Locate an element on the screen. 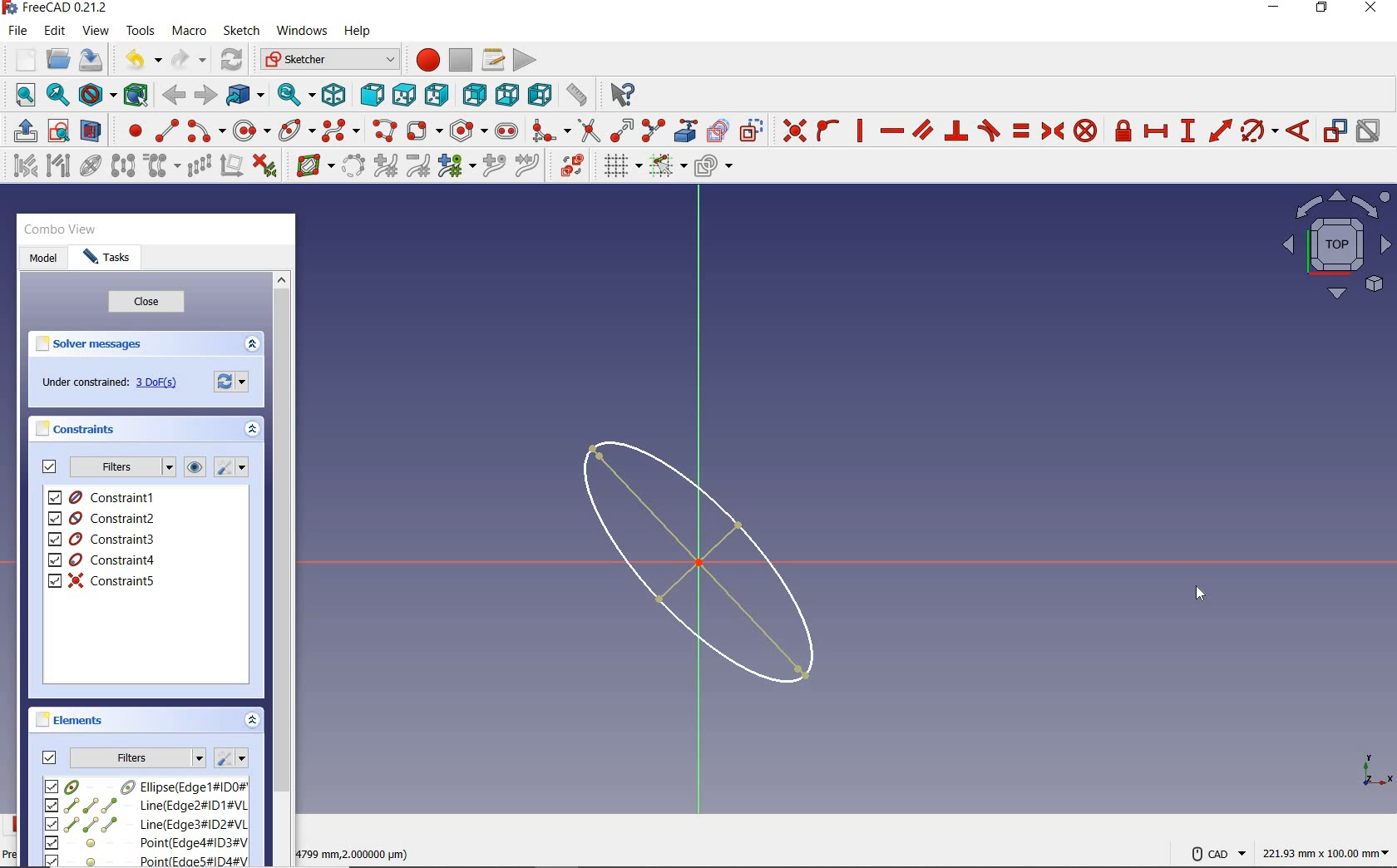 This screenshot has height=868, width=1397. macro is located at coordinates (190, 32).